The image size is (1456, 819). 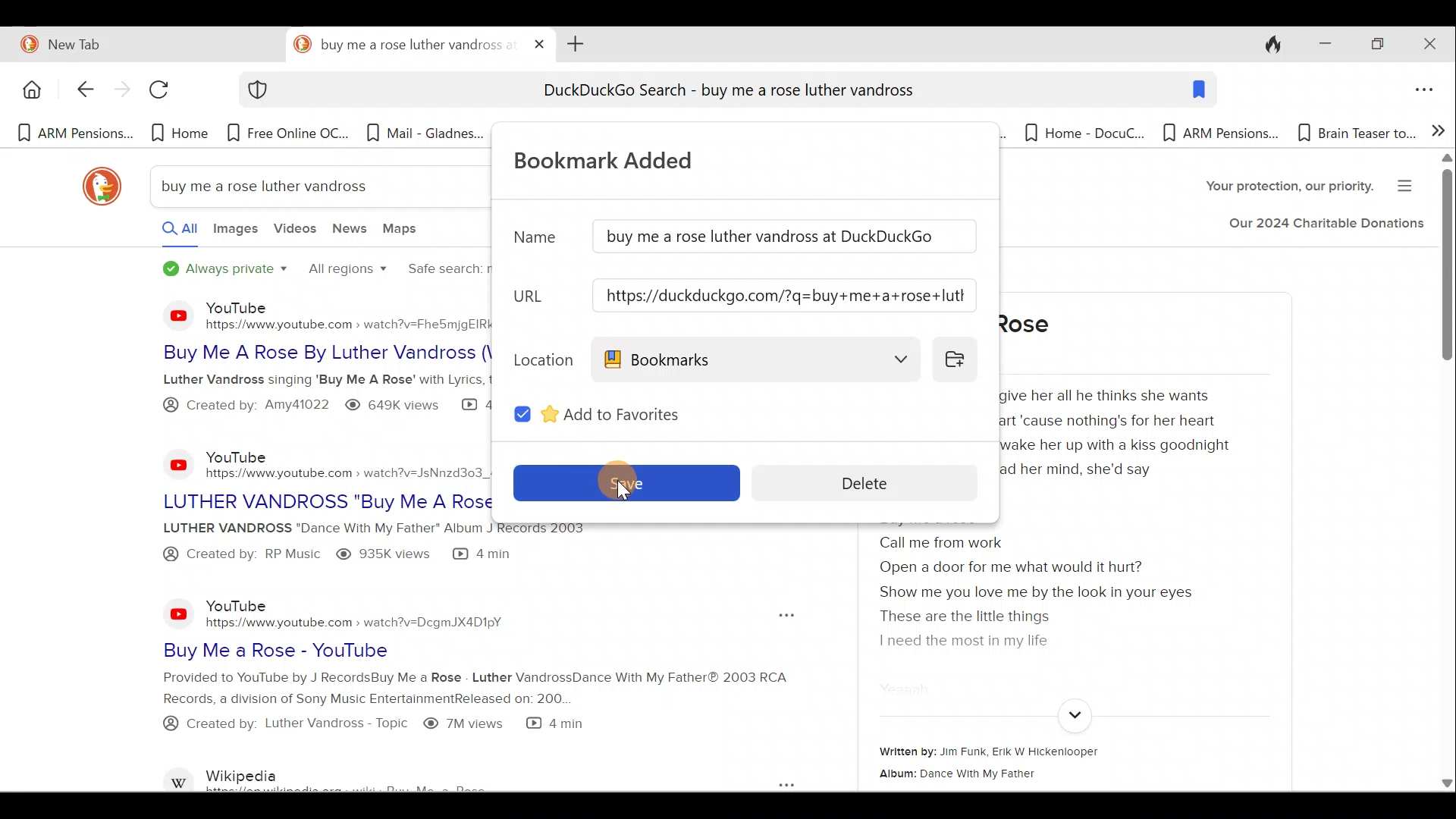 What do you see at coordinates (1050, 763) in the screenshot?
I see `Written by: Jim Funk, Erik W Hickenlooper
Album: Dance With My Father` at bounding box center [1050, 763].